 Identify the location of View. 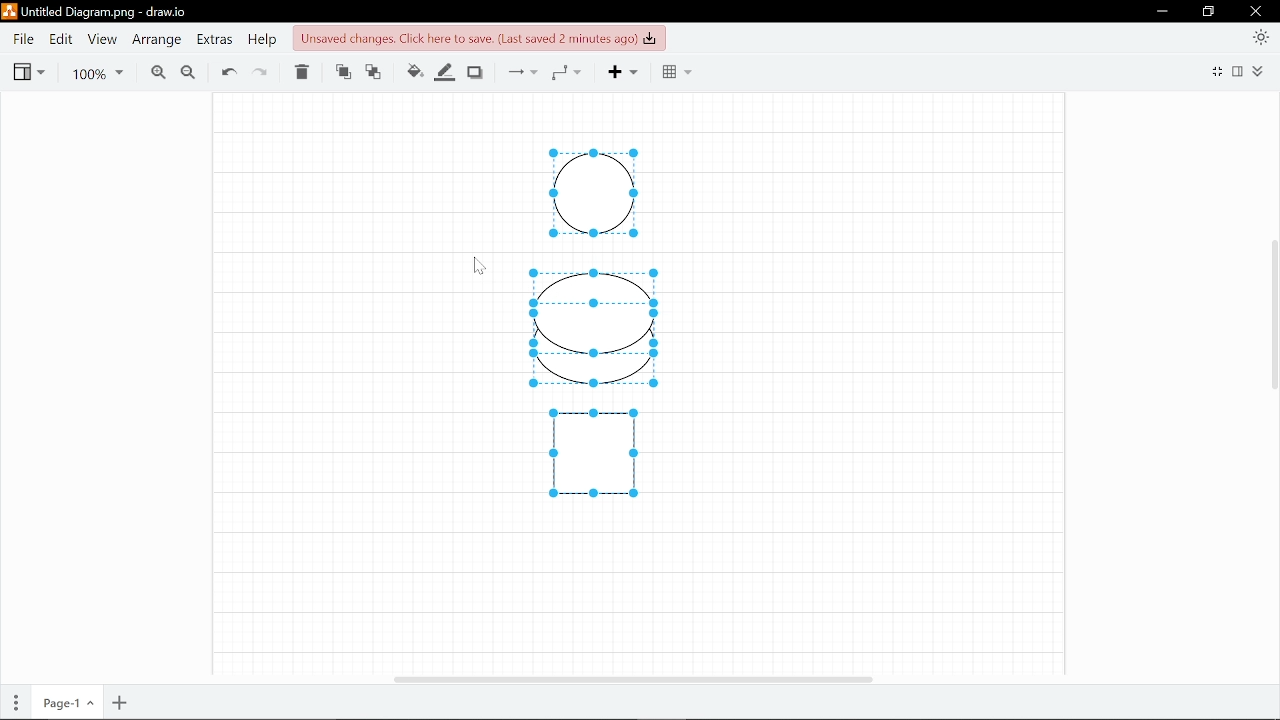
(100, 39).